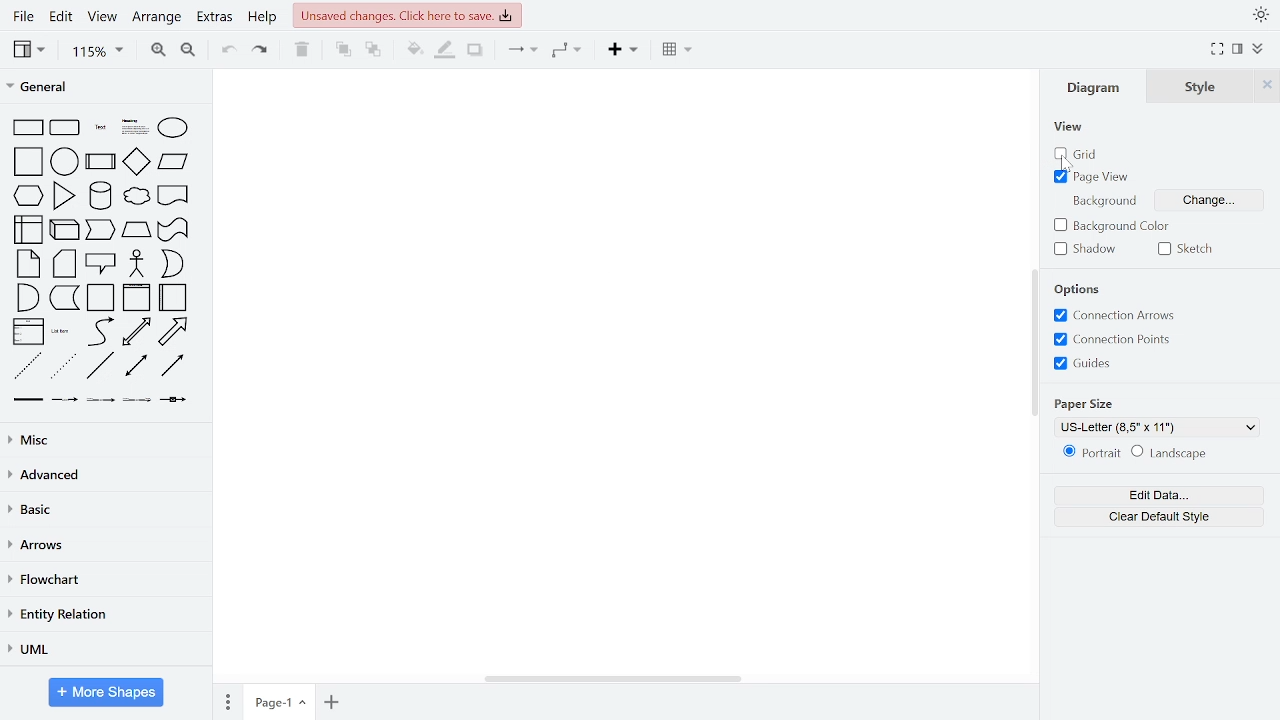 This screenshot has width=1280, height=720. I want to click on card, so click(64, 265).